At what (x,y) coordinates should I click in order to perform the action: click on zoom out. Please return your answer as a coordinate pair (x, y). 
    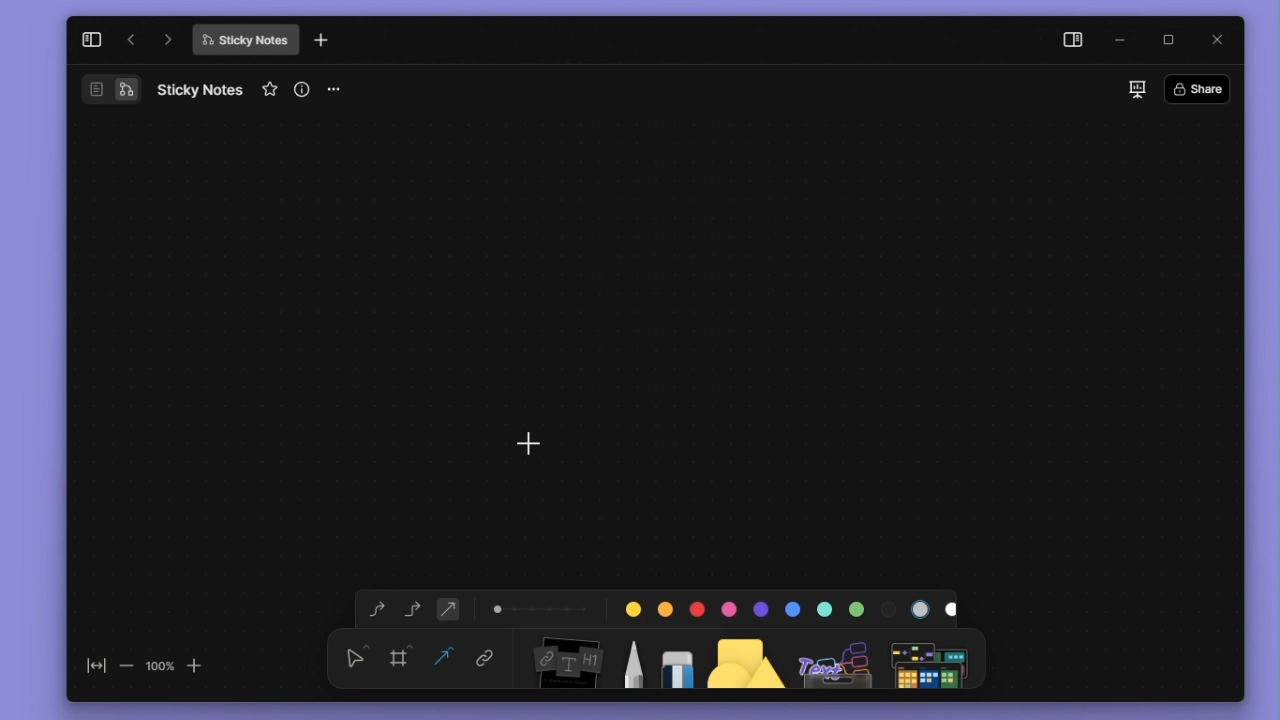
    Looking at the image, I should click on (125, 665).